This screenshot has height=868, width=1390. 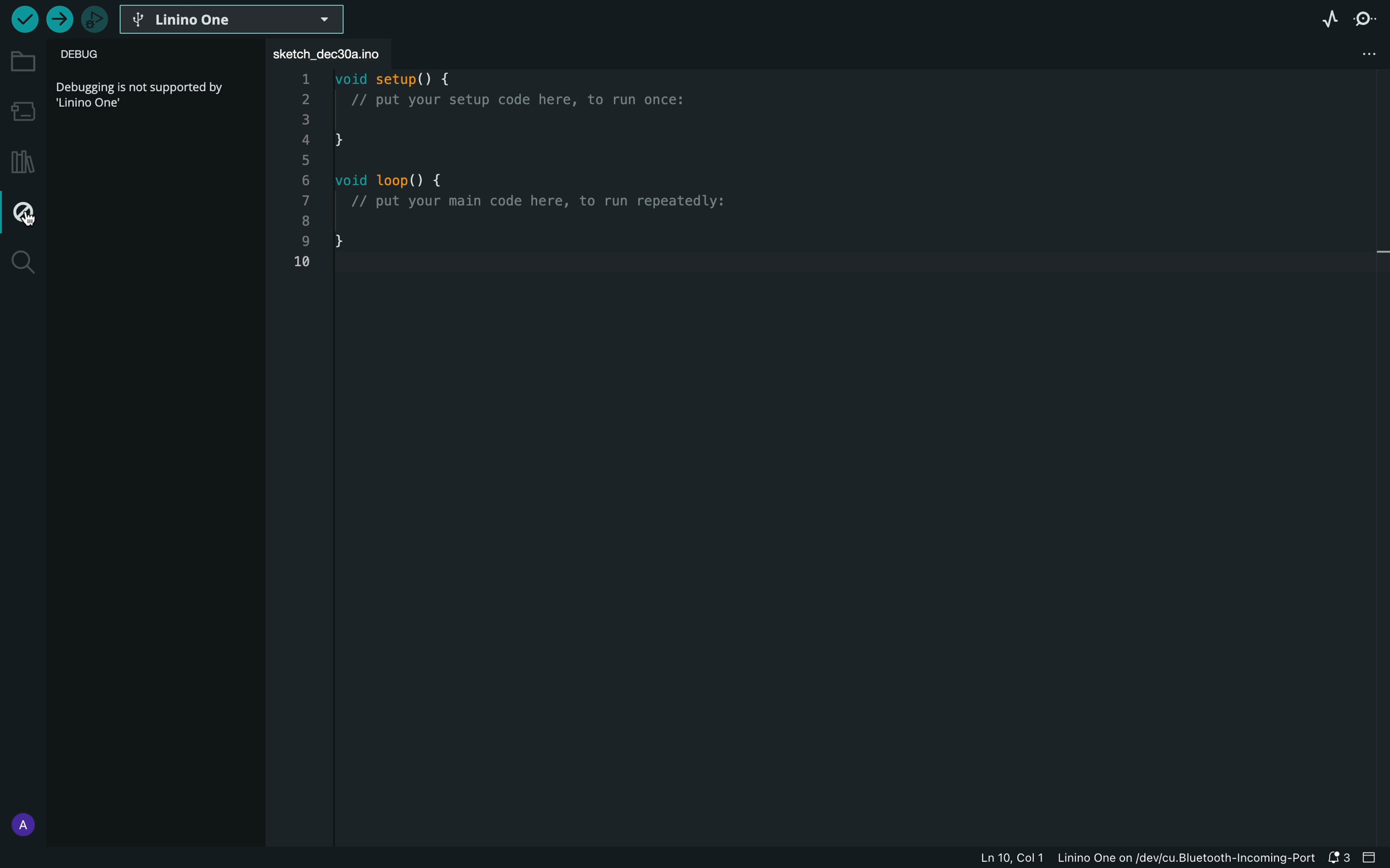 What do you see at coordinates (29, 218) in the screenshot?
I see `cursor` at bounding box center [29, 218].